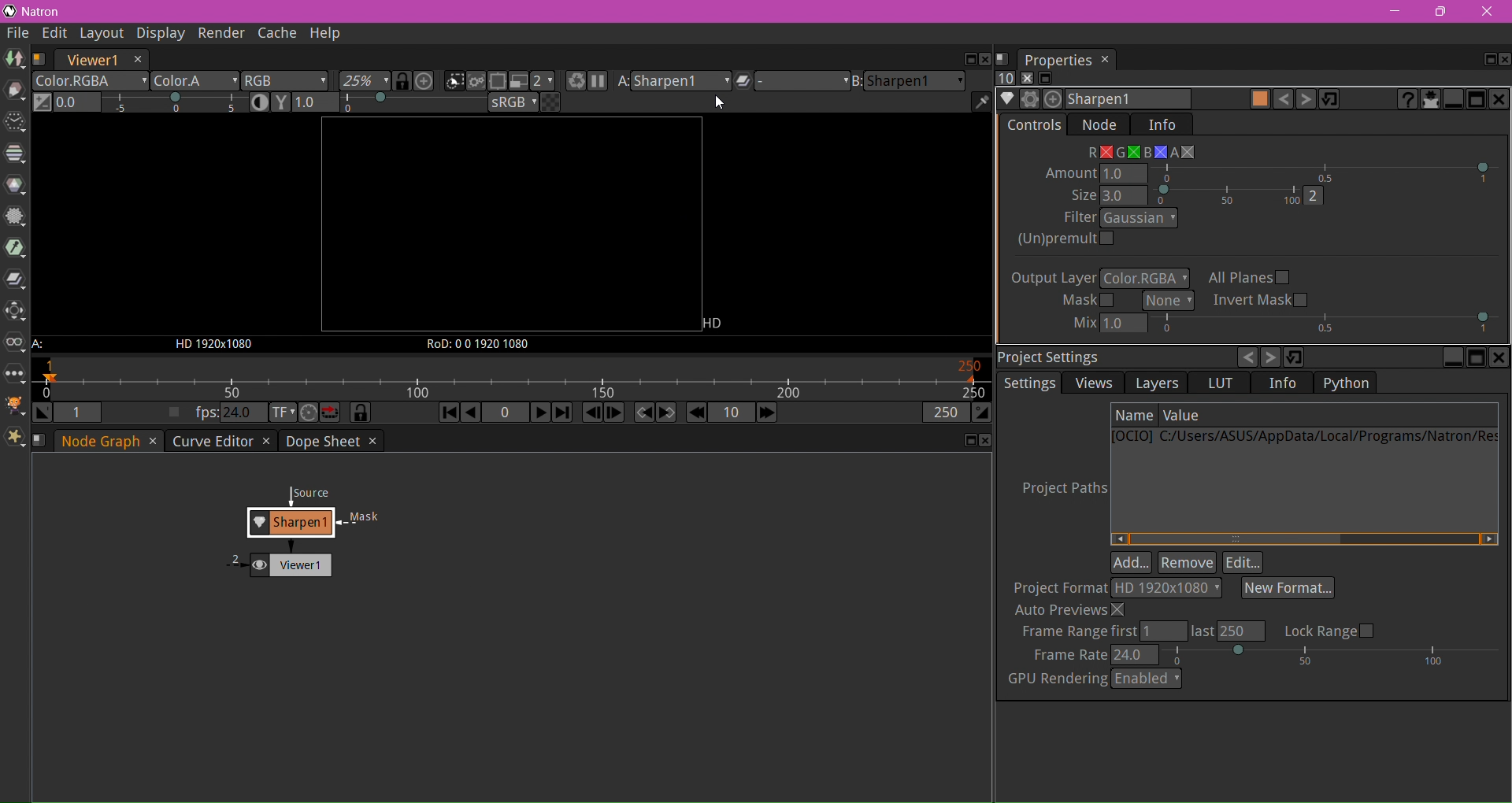  What do you see at coordinates (15, 218) in the screenshot?
I see `Filter` at bounding box center [15, 218].